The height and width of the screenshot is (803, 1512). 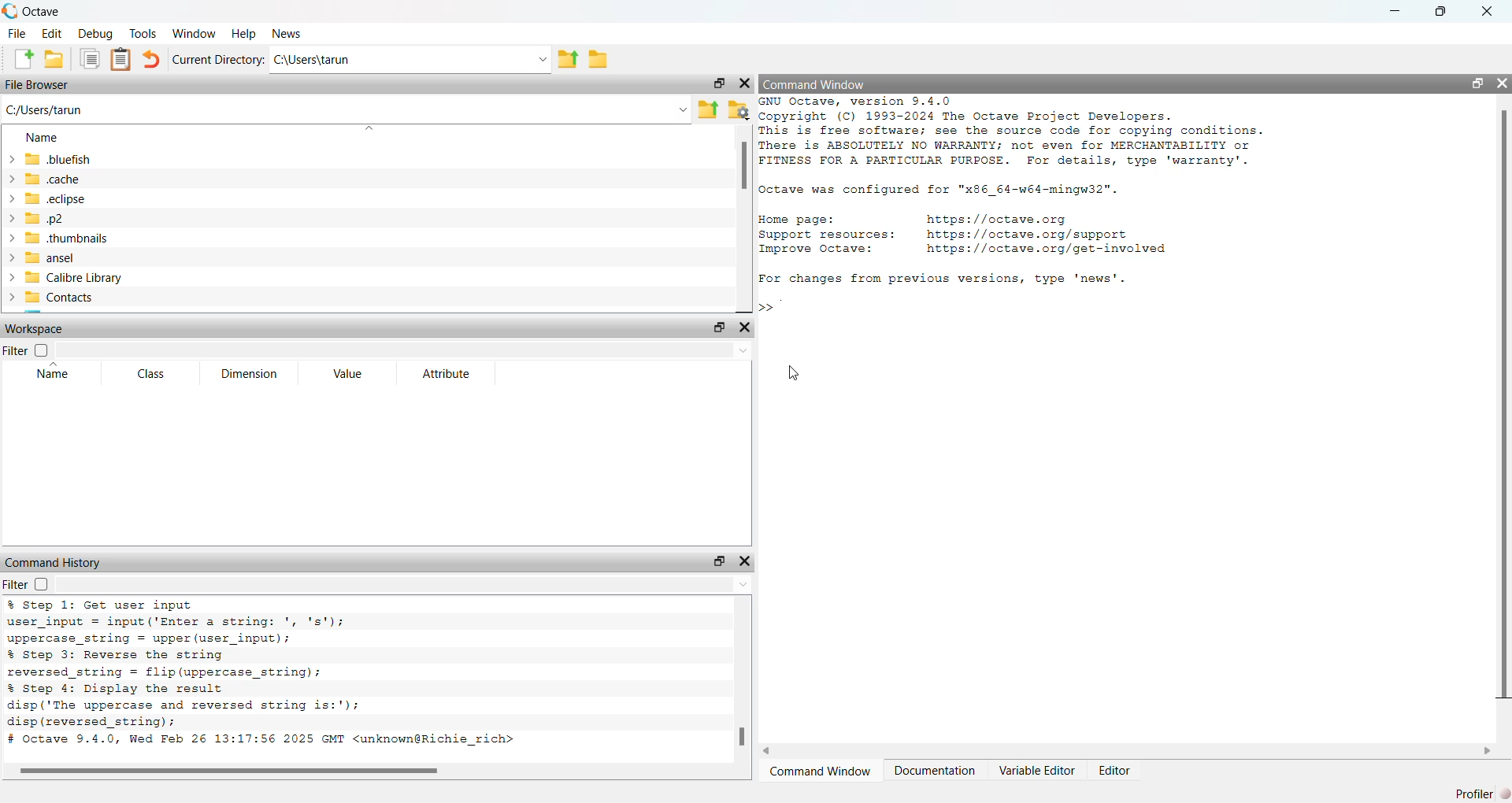 I want to click on scrollbar, so click(x=226, y=772).